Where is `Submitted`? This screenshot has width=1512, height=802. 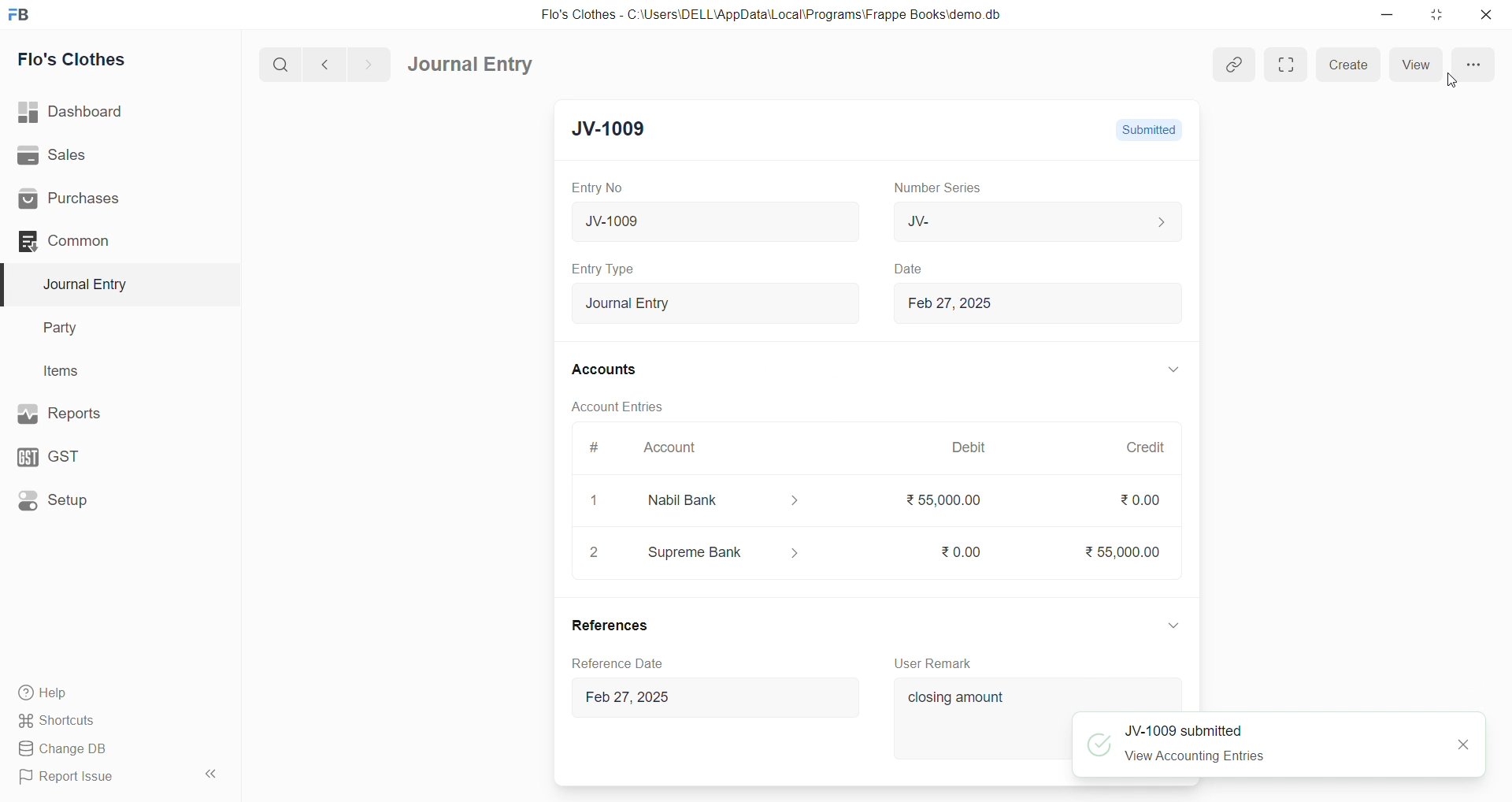 Submitted is located at coordinates (1150, 129).